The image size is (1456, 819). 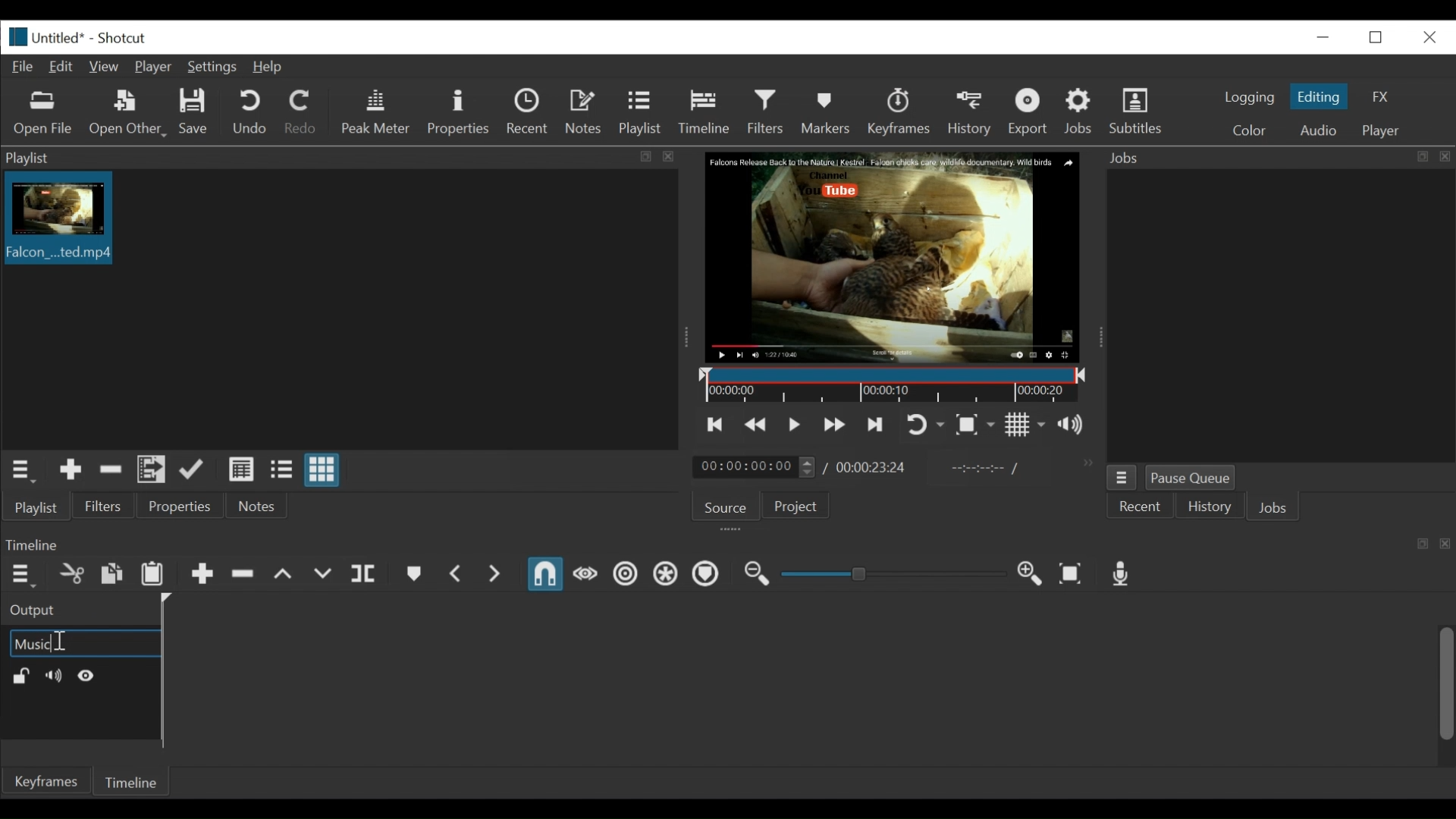 What do you see at coordinates (1138, 111) in the screenshot?
I see `Subtitles` at bounding box center [1138, 111].